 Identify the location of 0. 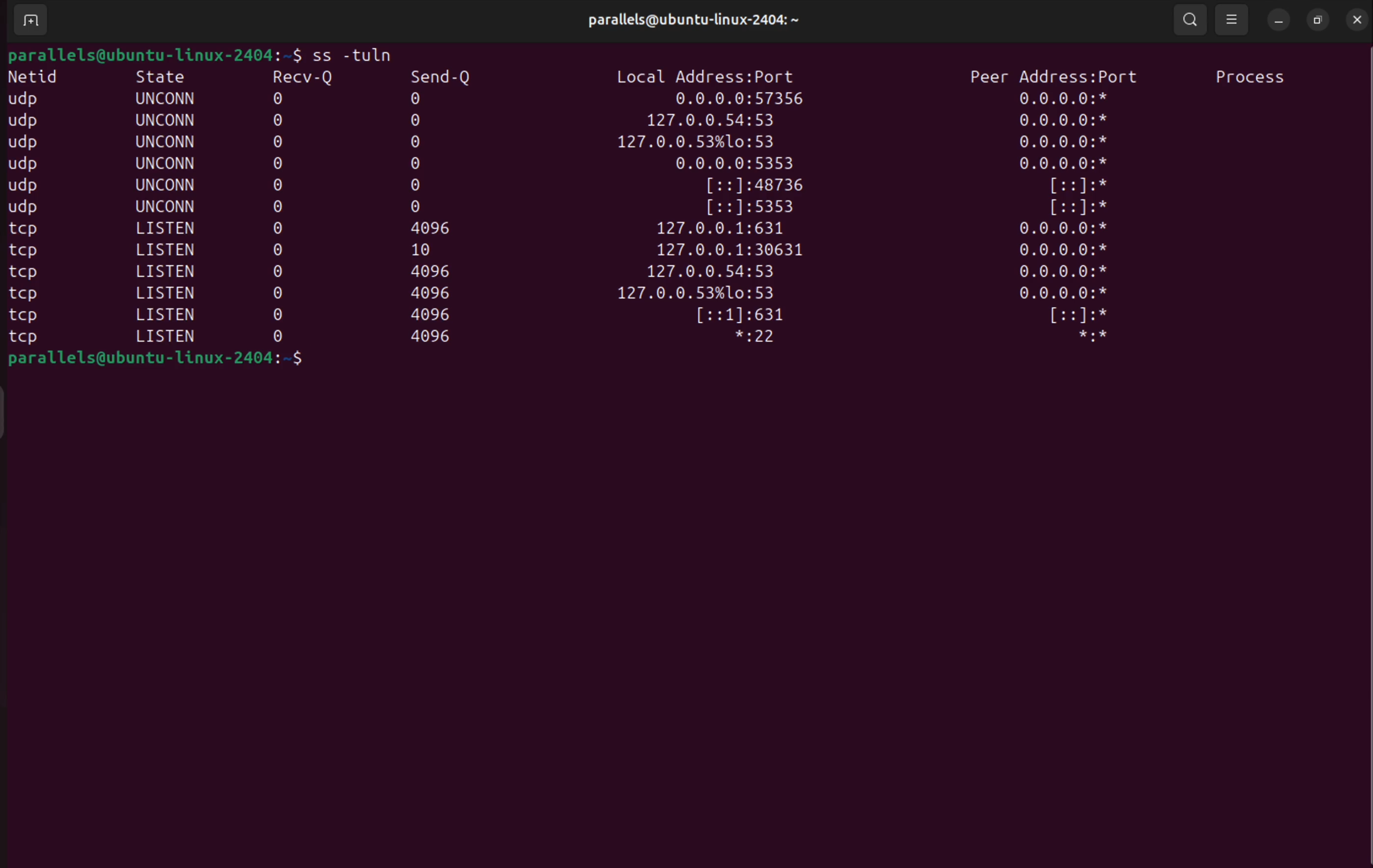
(421, 207).